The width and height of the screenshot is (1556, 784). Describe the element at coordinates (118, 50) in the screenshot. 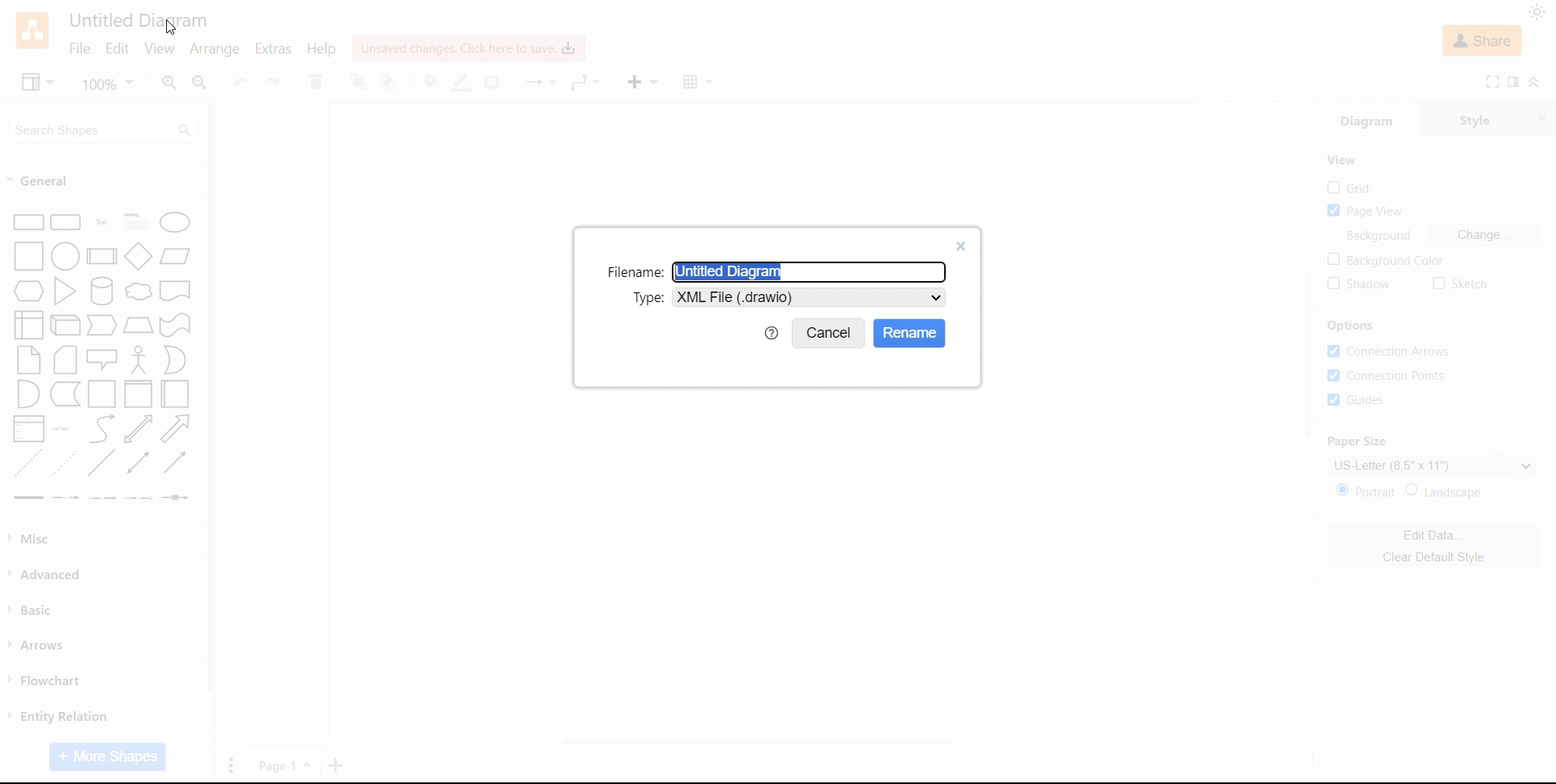

I see `Edit ` at that location.